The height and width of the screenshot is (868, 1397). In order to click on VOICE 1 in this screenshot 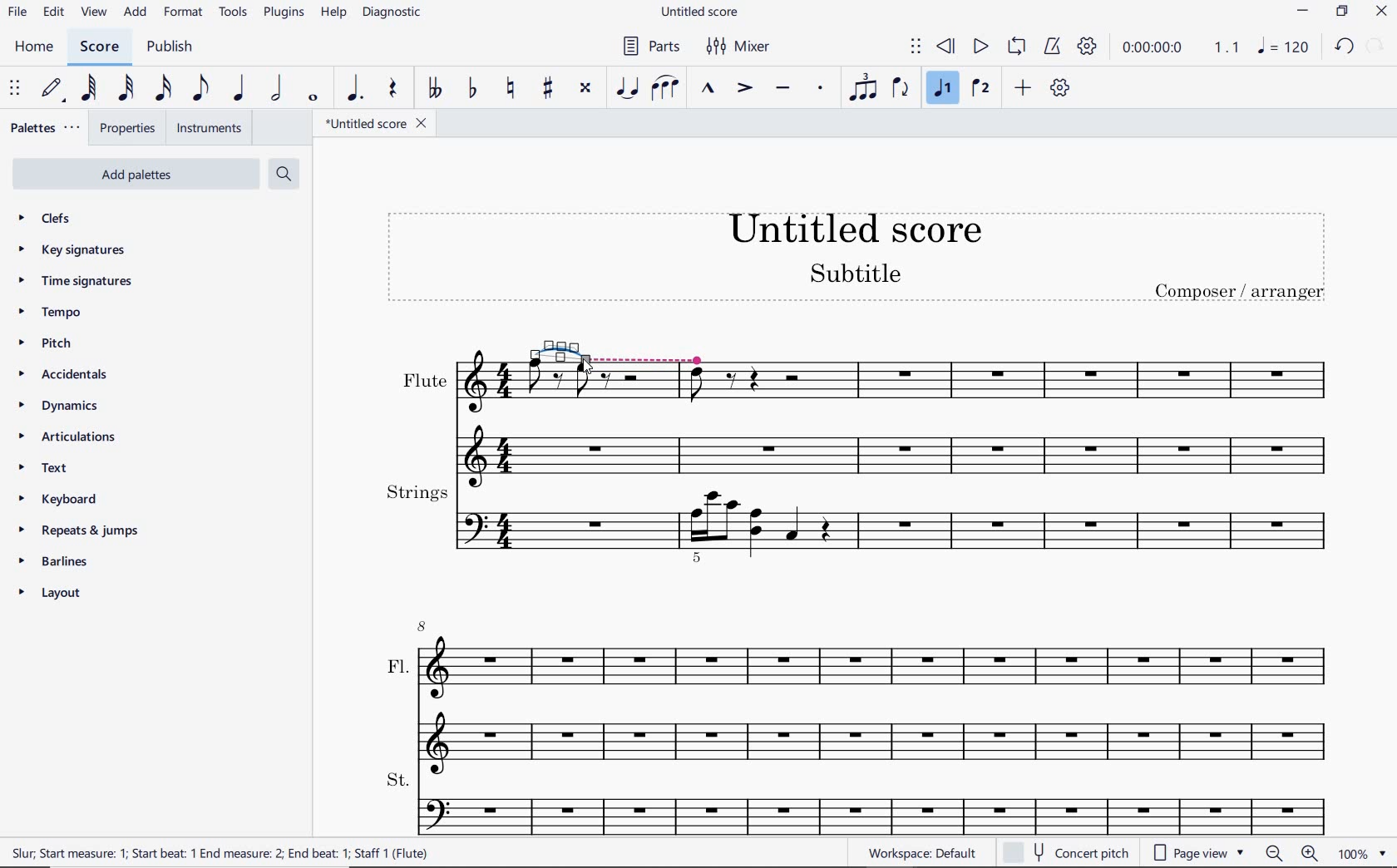, I will do `click(944, 91)`.